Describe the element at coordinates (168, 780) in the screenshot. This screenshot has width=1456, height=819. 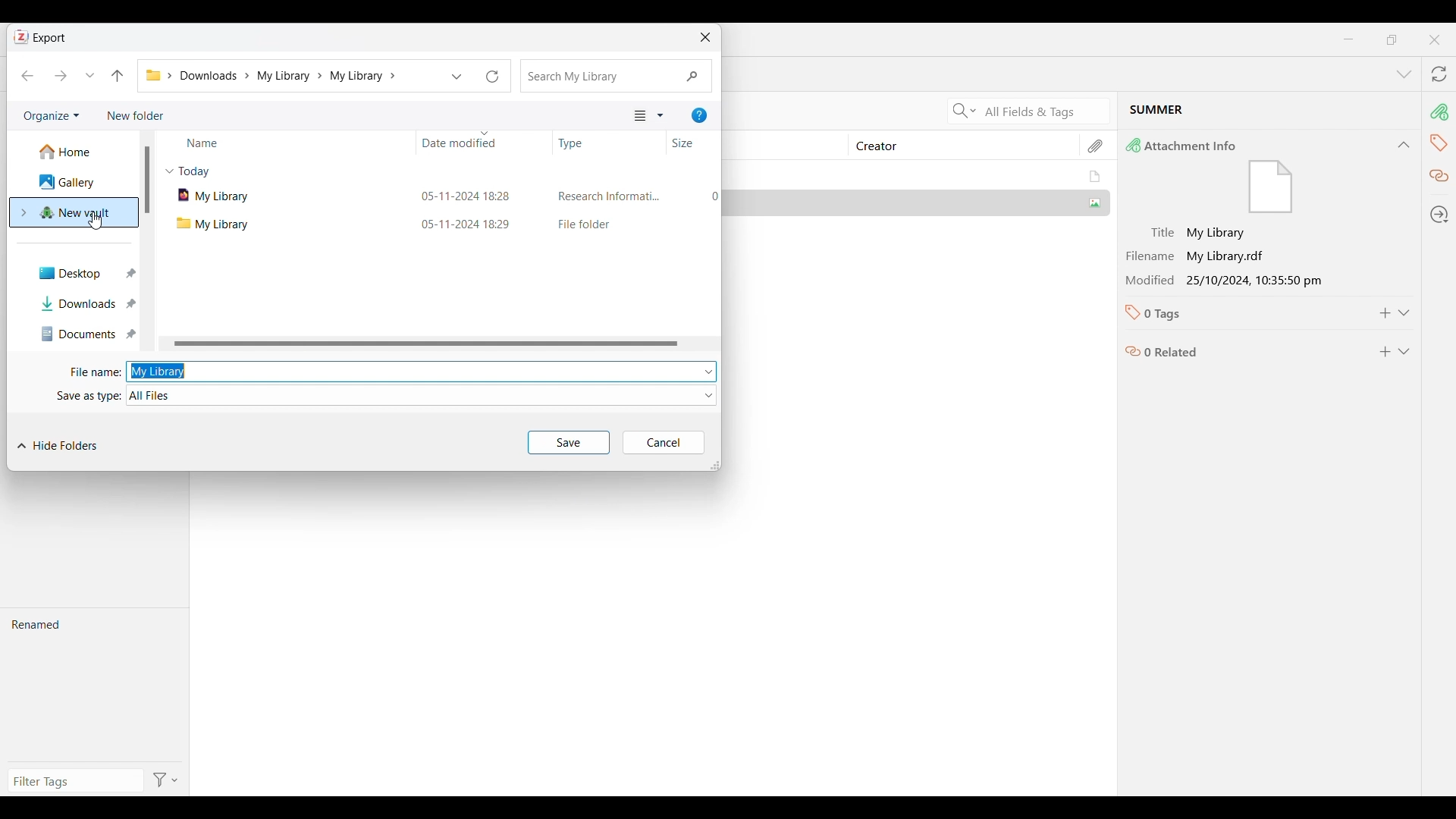
I see `Filter` at that location.